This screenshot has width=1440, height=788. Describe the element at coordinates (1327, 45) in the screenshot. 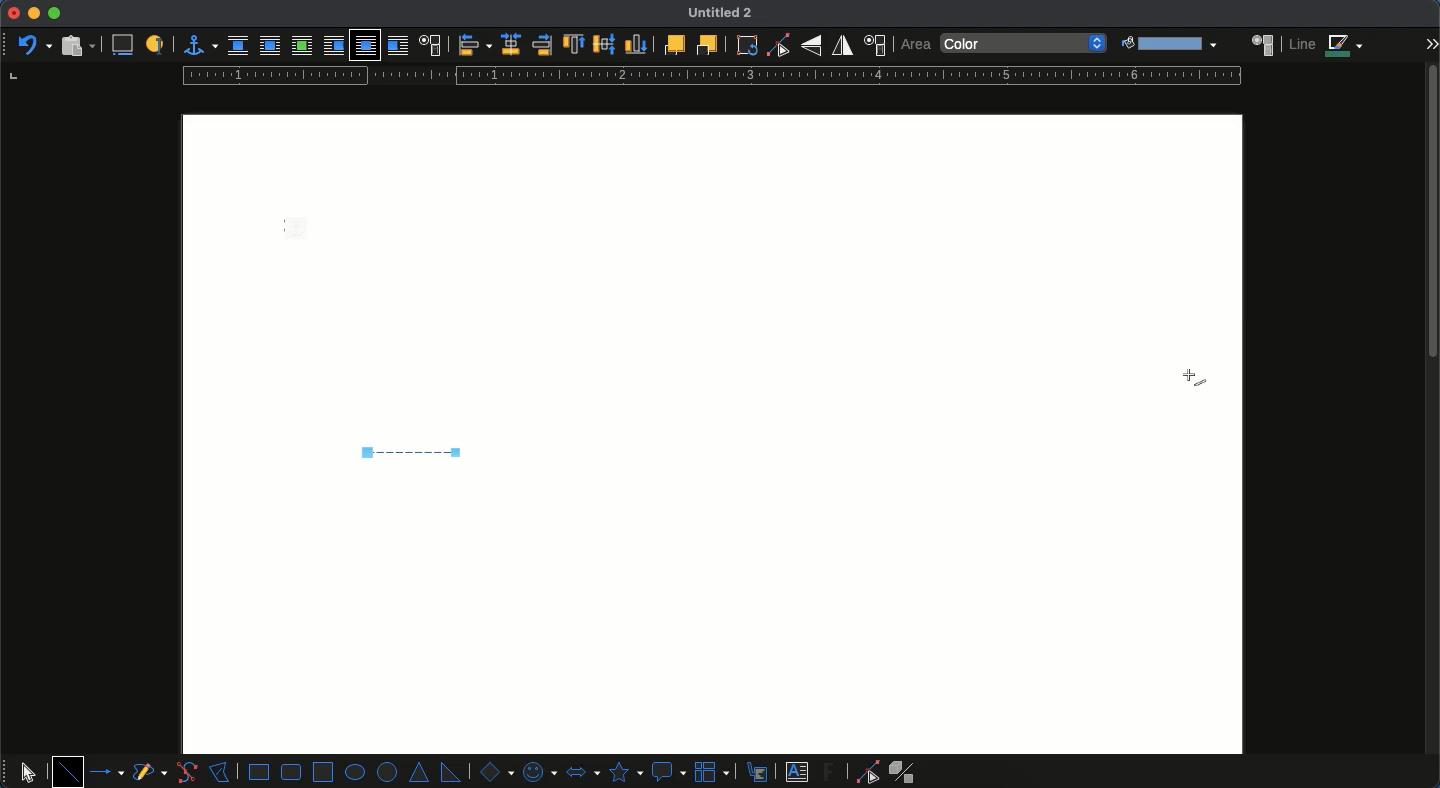

I see `line color` at that location.